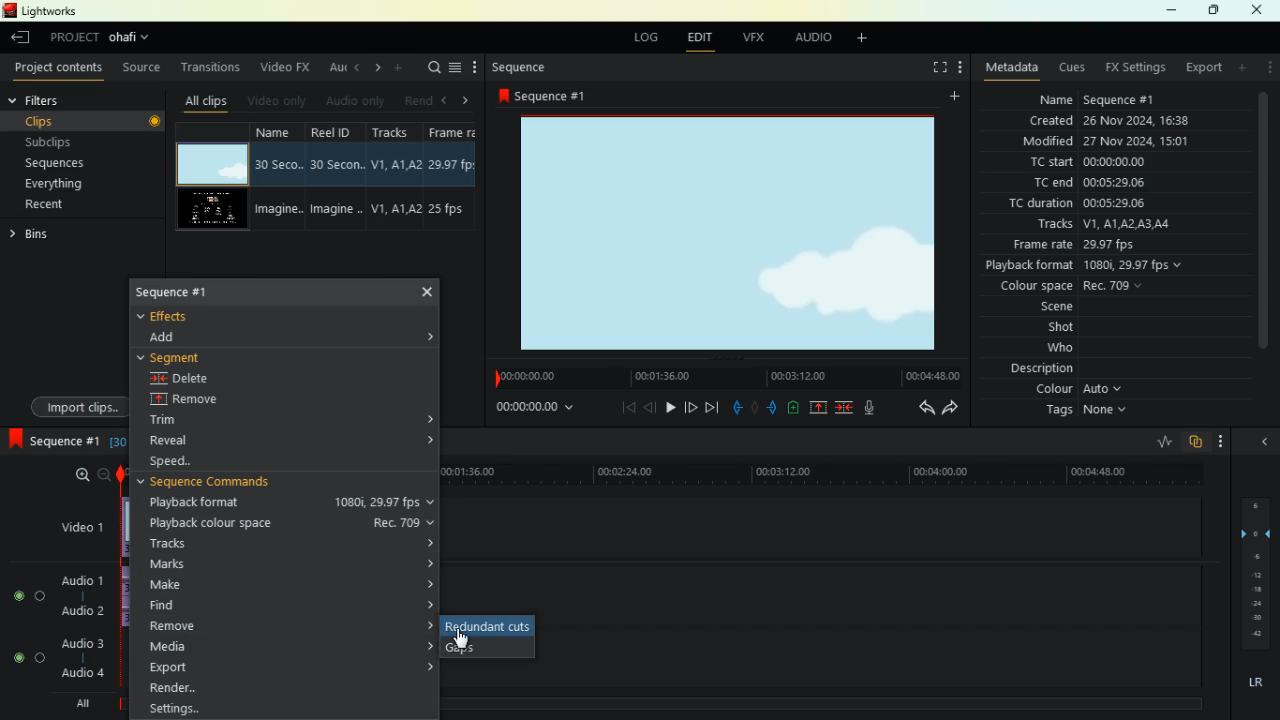 This screenshot has height=720, width=1280. I want to click on up, so click(815, 408).